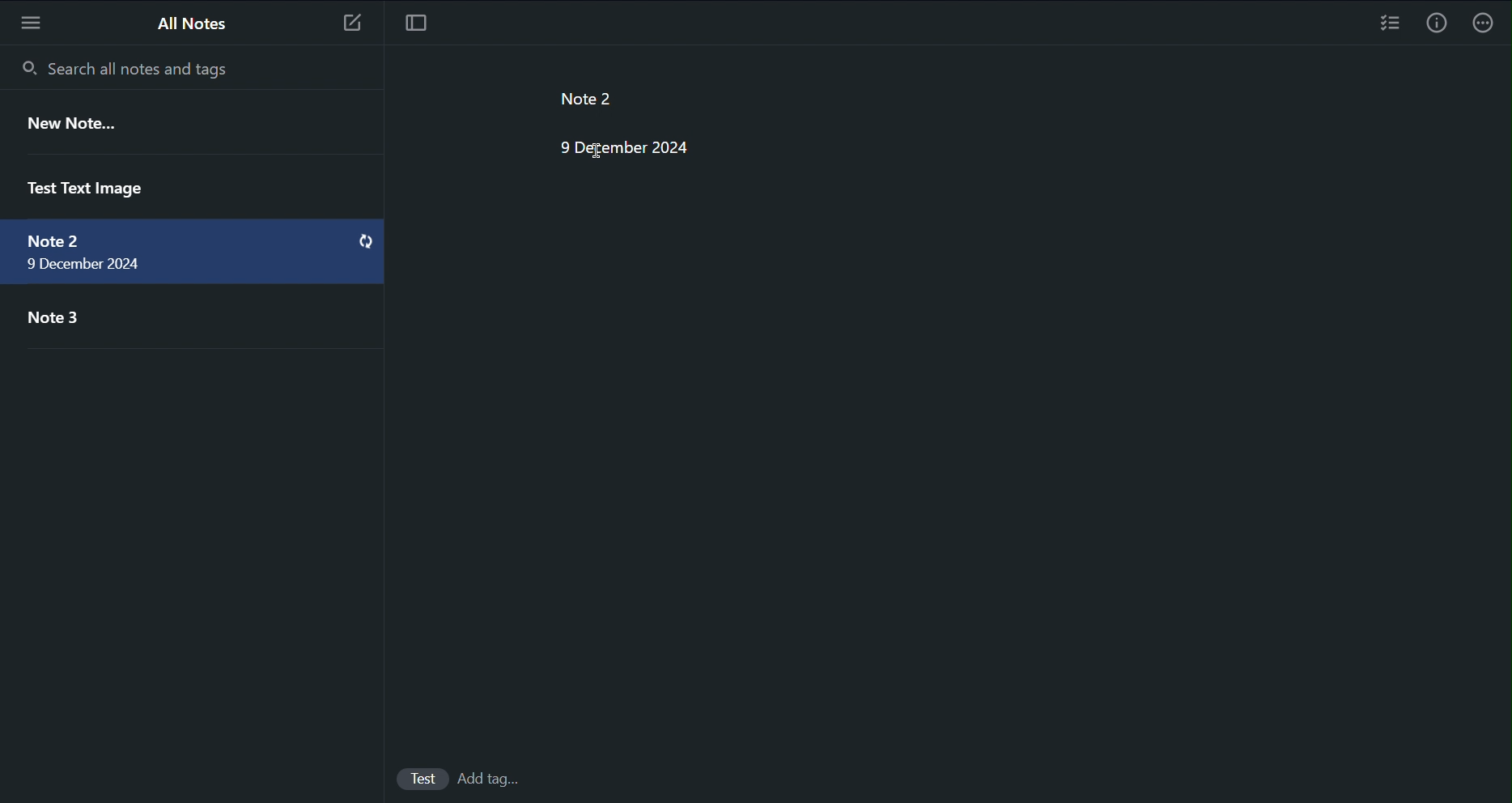  Describe the element at coordinates (70, 125) in the screenshot. I see `New Note` at that location.